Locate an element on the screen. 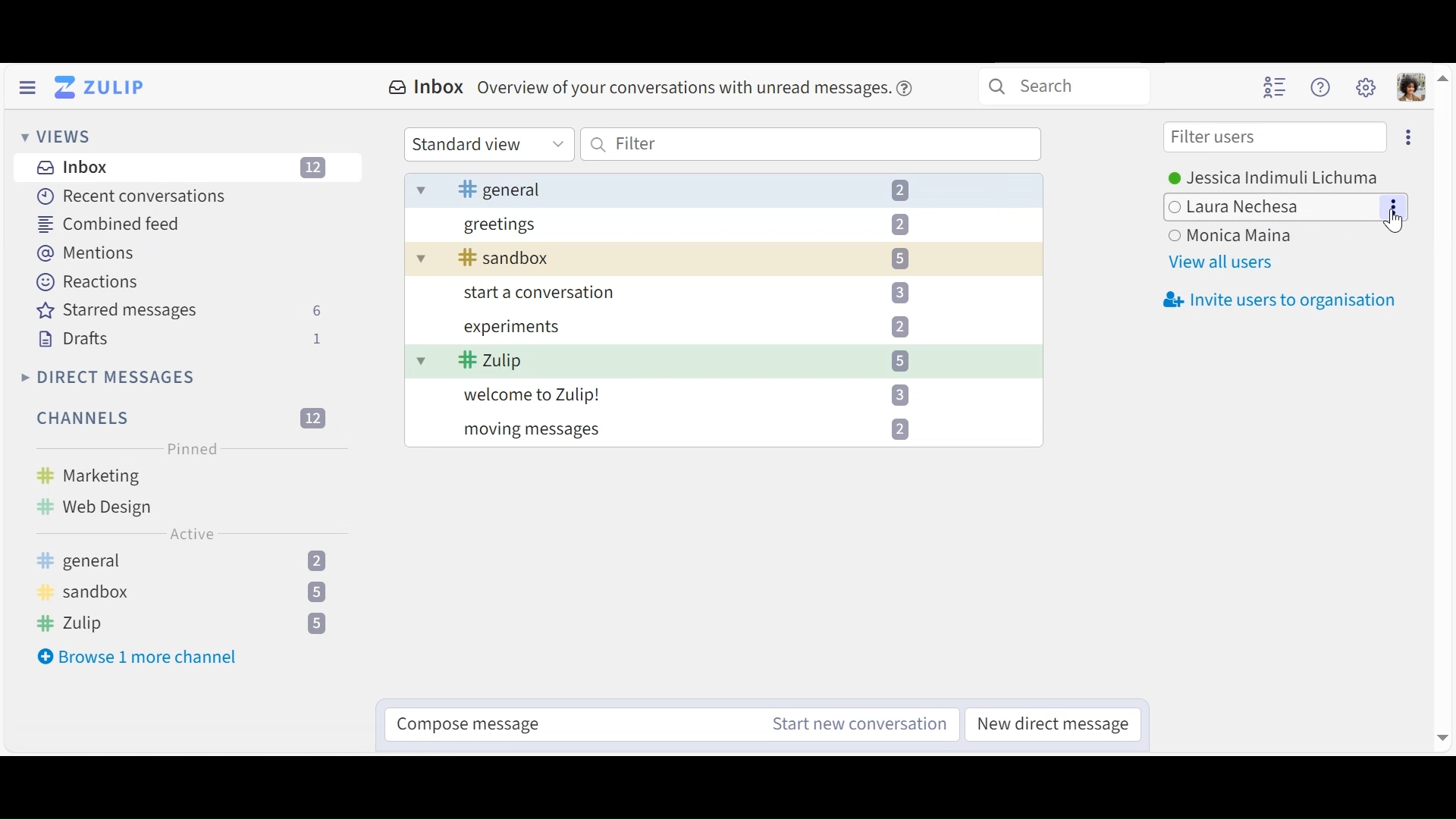  View all users is located at coordinates (1221, 263).